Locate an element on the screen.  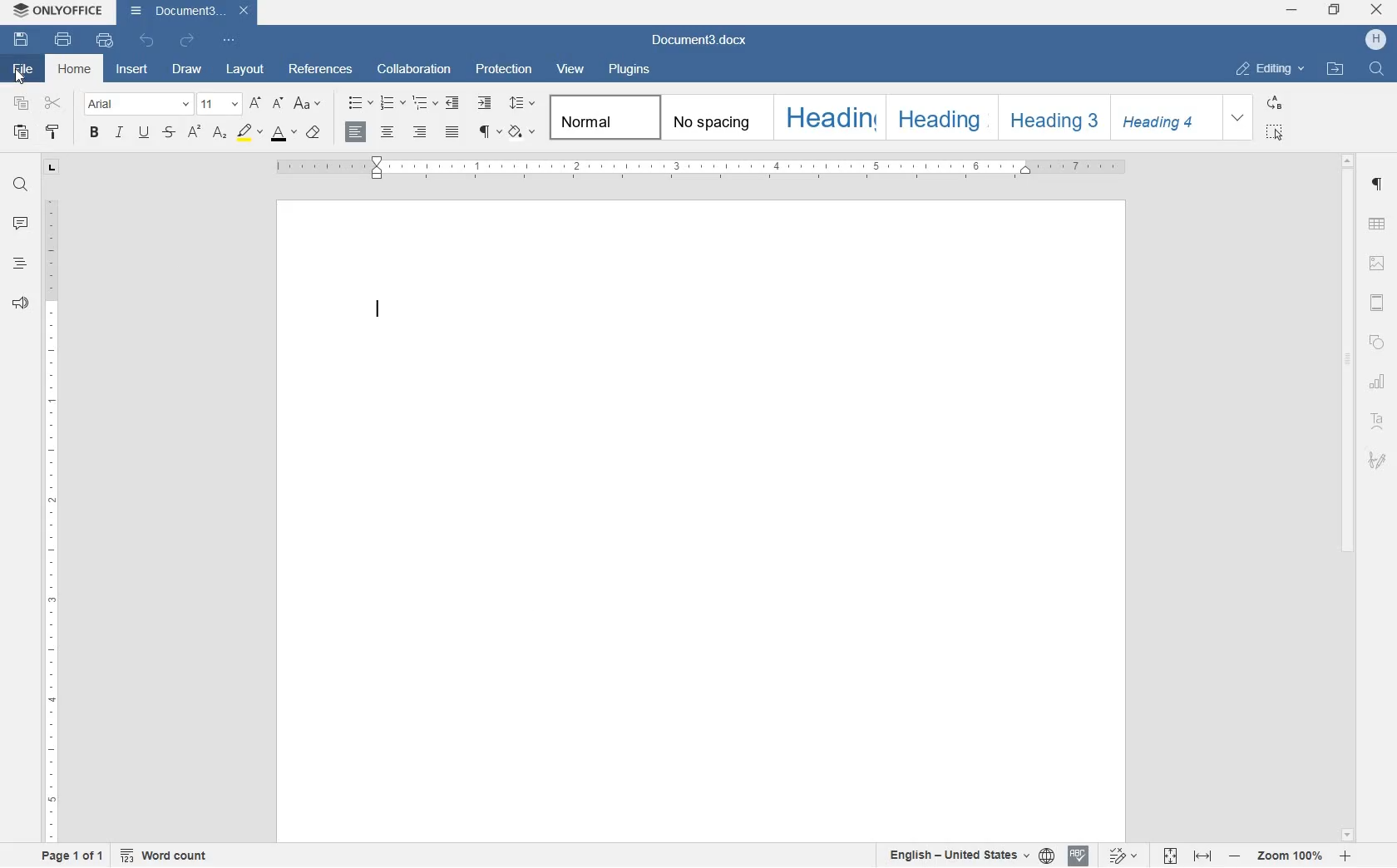
align right is located at coordinates (419, 132).